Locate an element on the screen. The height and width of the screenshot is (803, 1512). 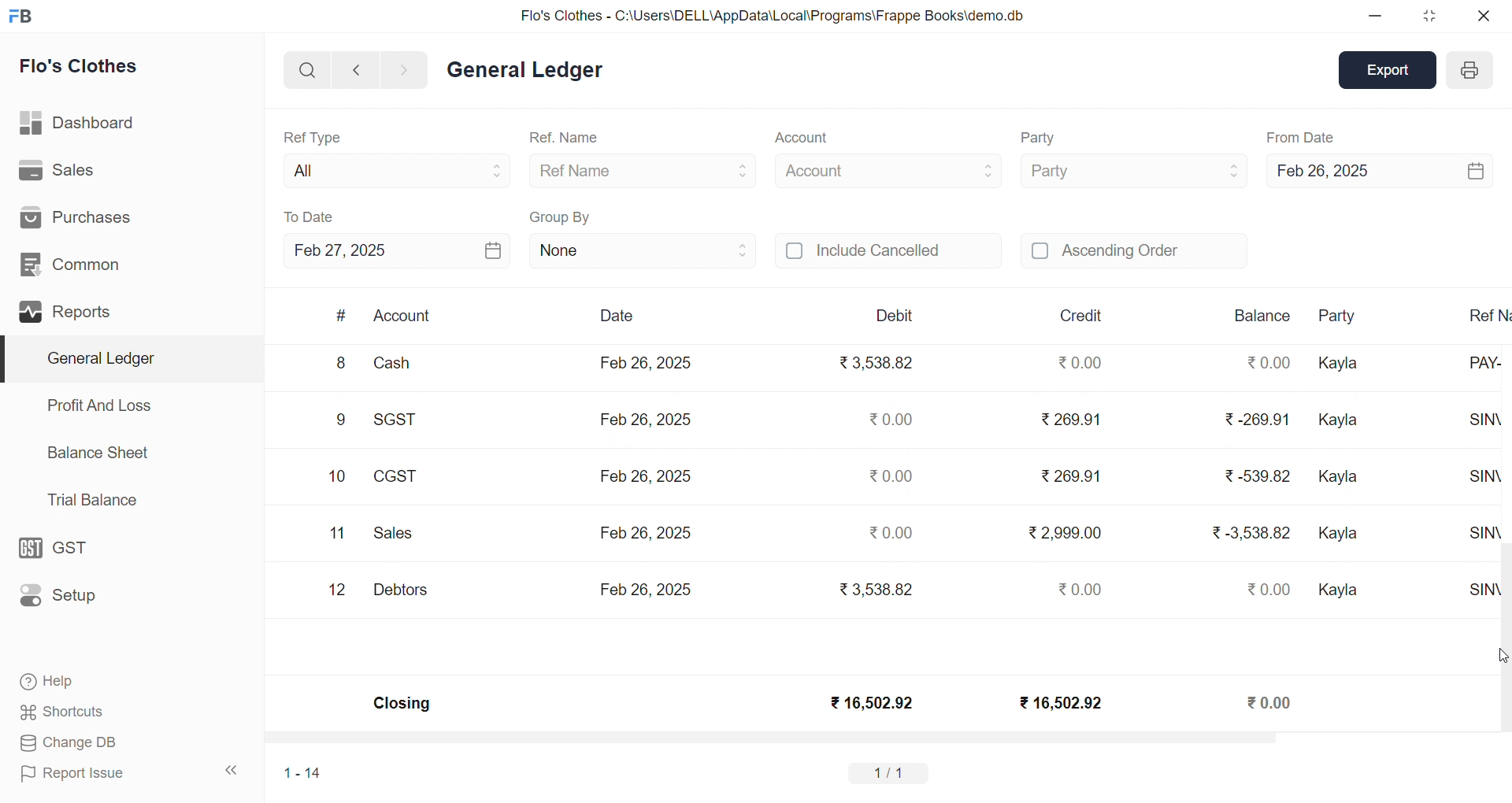
MINIMIZE is located at coordinates (1376, 17).